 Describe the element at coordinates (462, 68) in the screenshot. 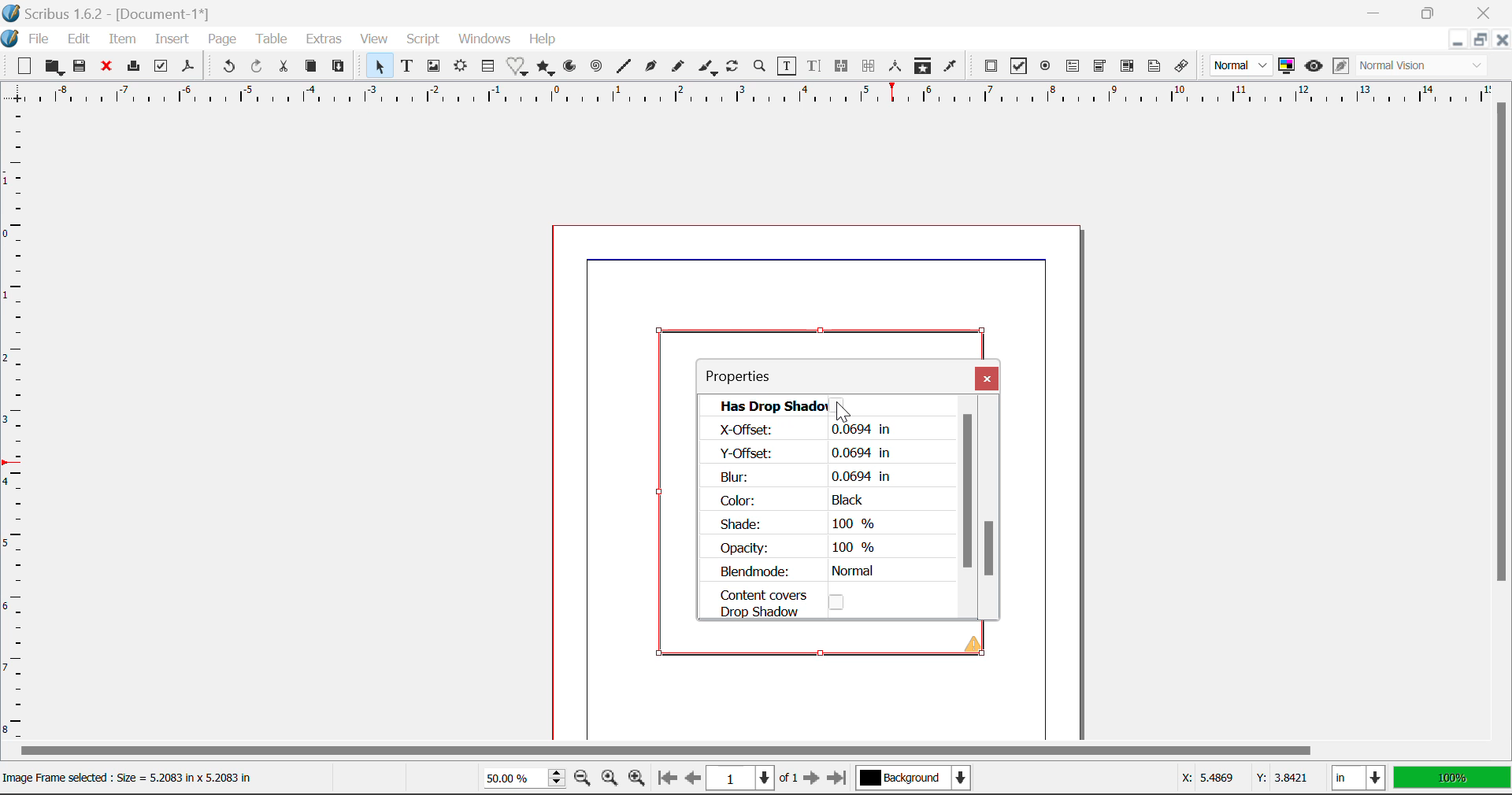

I see `Render Frame` at that location.